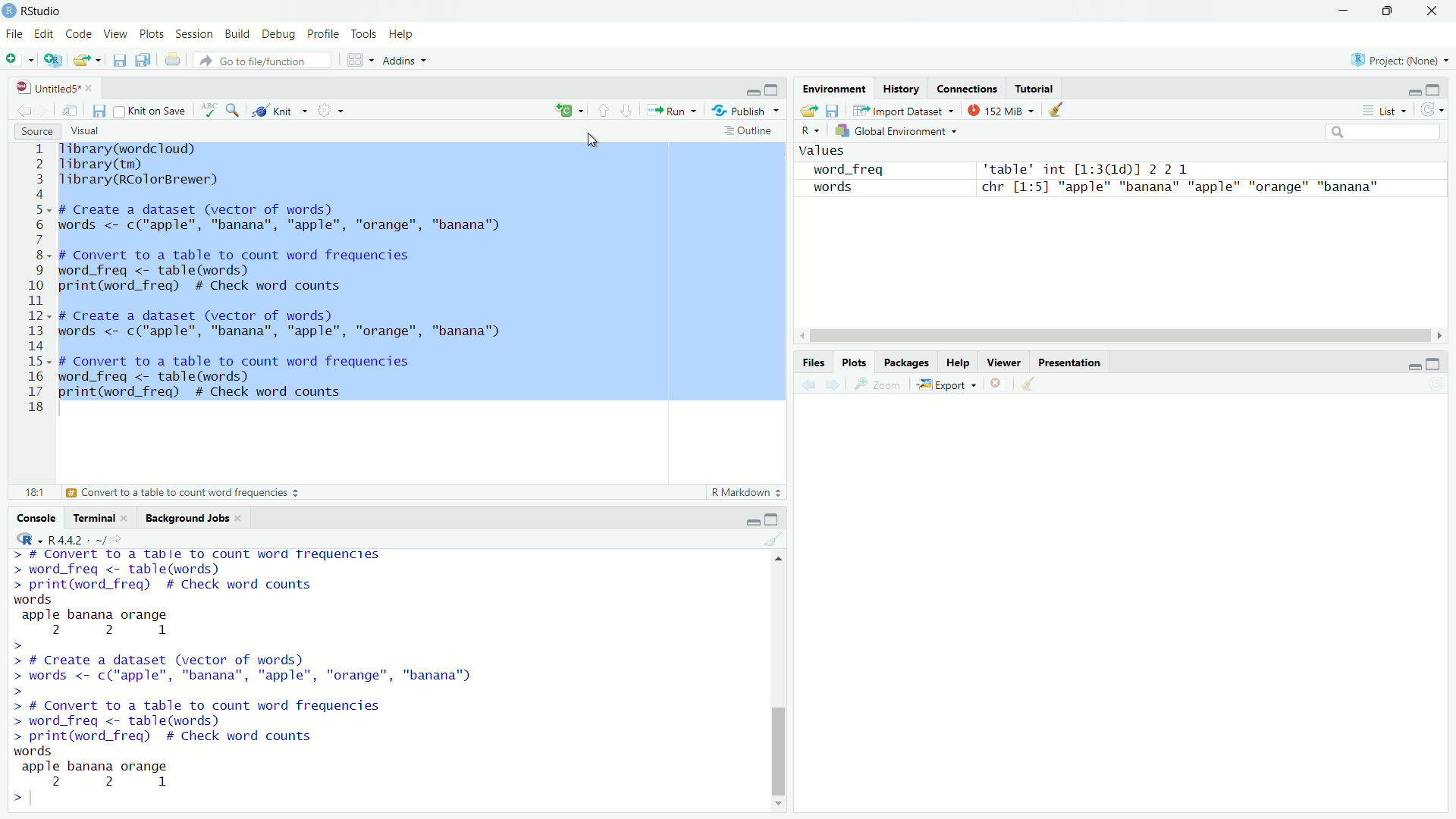 The image size is (1456, 819). I want to click on Maximize, so click(1389, 12).